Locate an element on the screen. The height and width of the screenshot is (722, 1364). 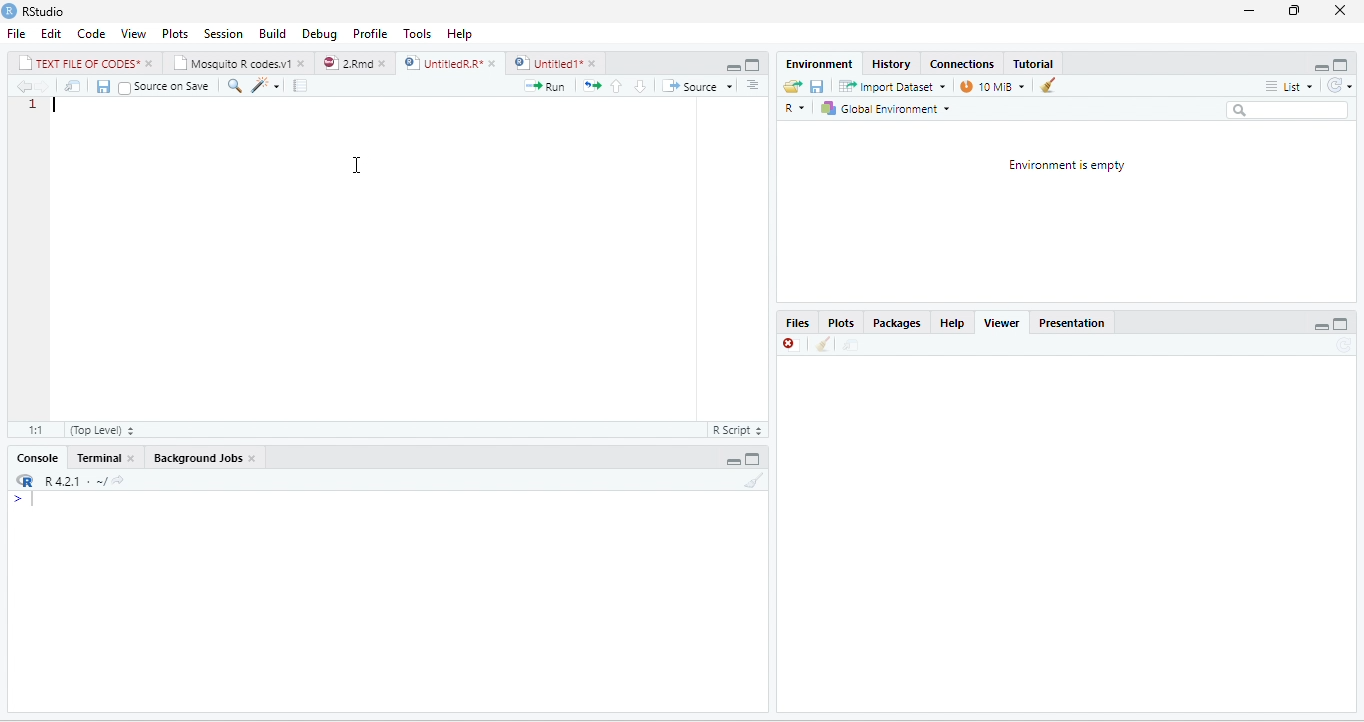
restore down is located at coordinates (1292, 12).